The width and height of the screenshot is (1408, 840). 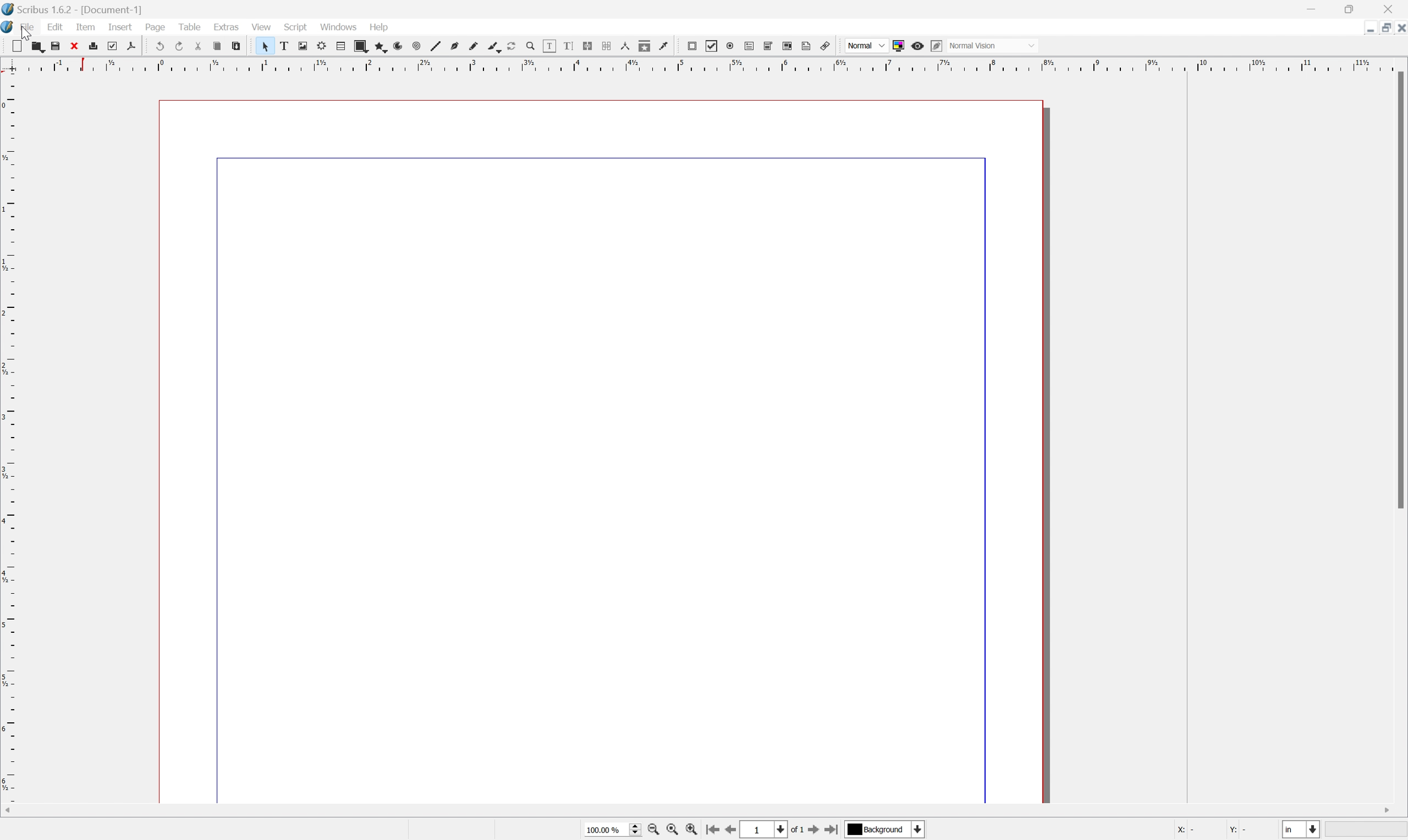 I want to click on Minimize, so click(x=1315, y=8).